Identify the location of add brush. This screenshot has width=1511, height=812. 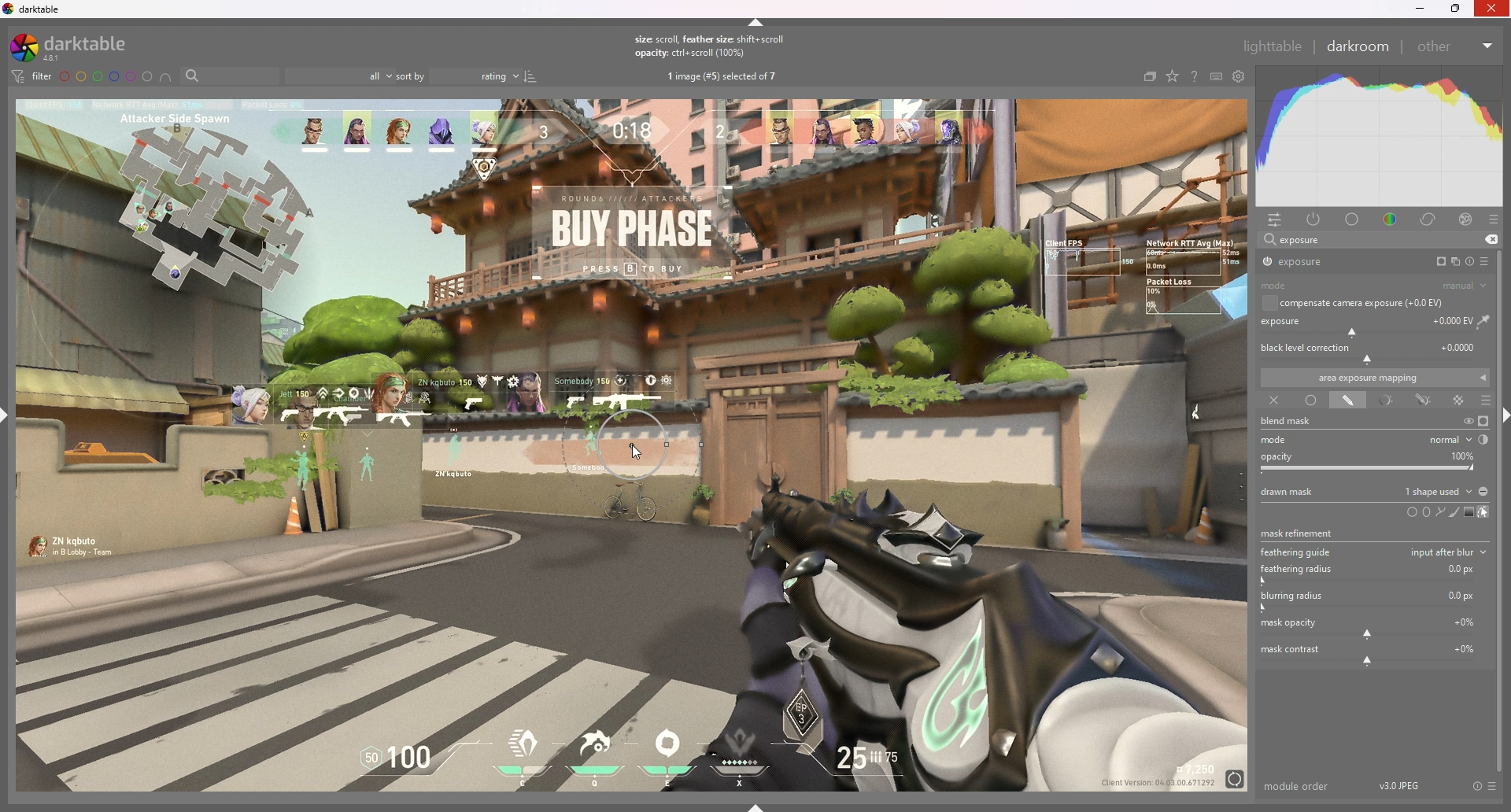
(1450, 512).